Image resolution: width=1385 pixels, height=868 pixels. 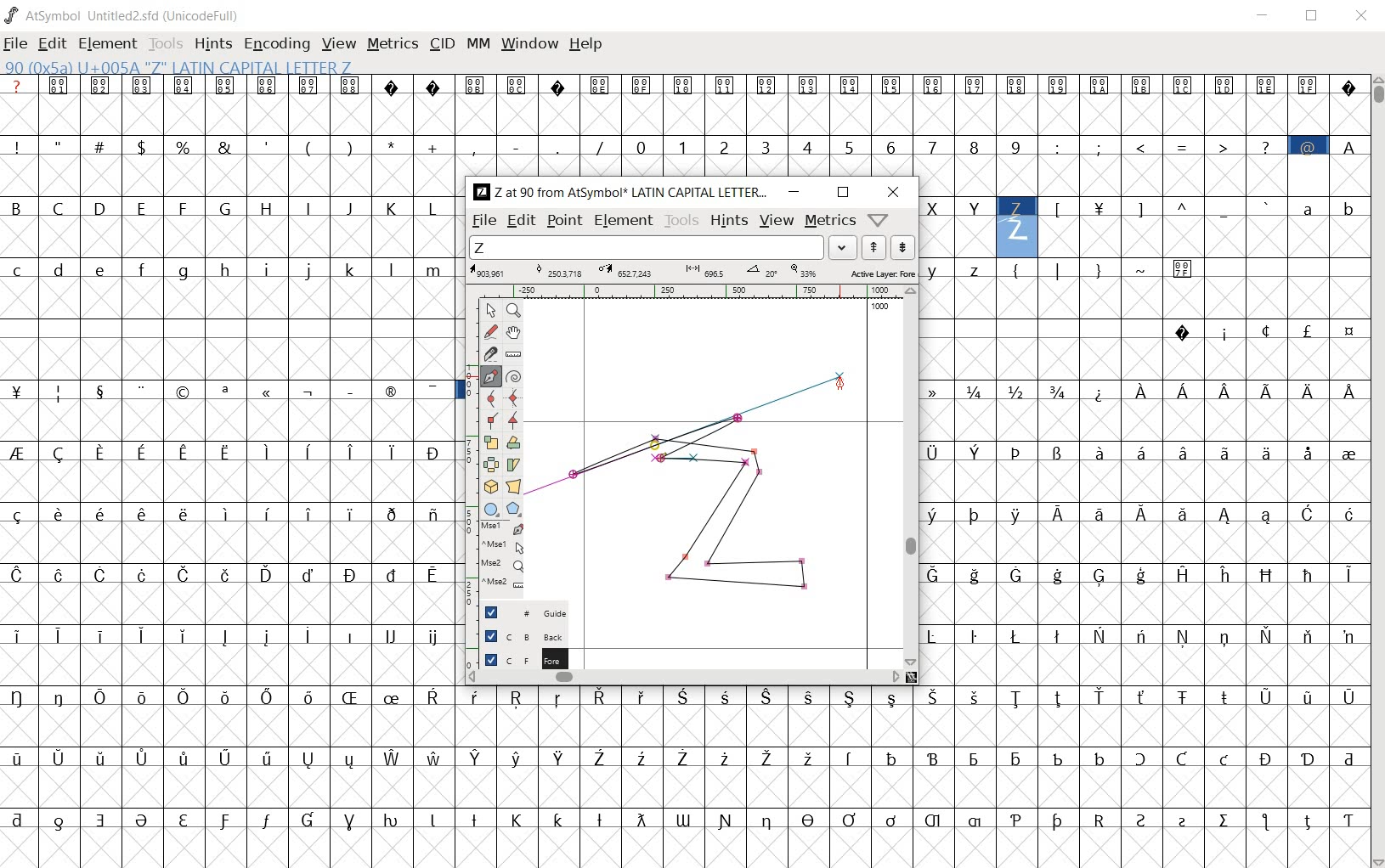 What do you see at coordinates (795, 192) in the screenshot?
I see `minimize` at bounding box center [795, 192].